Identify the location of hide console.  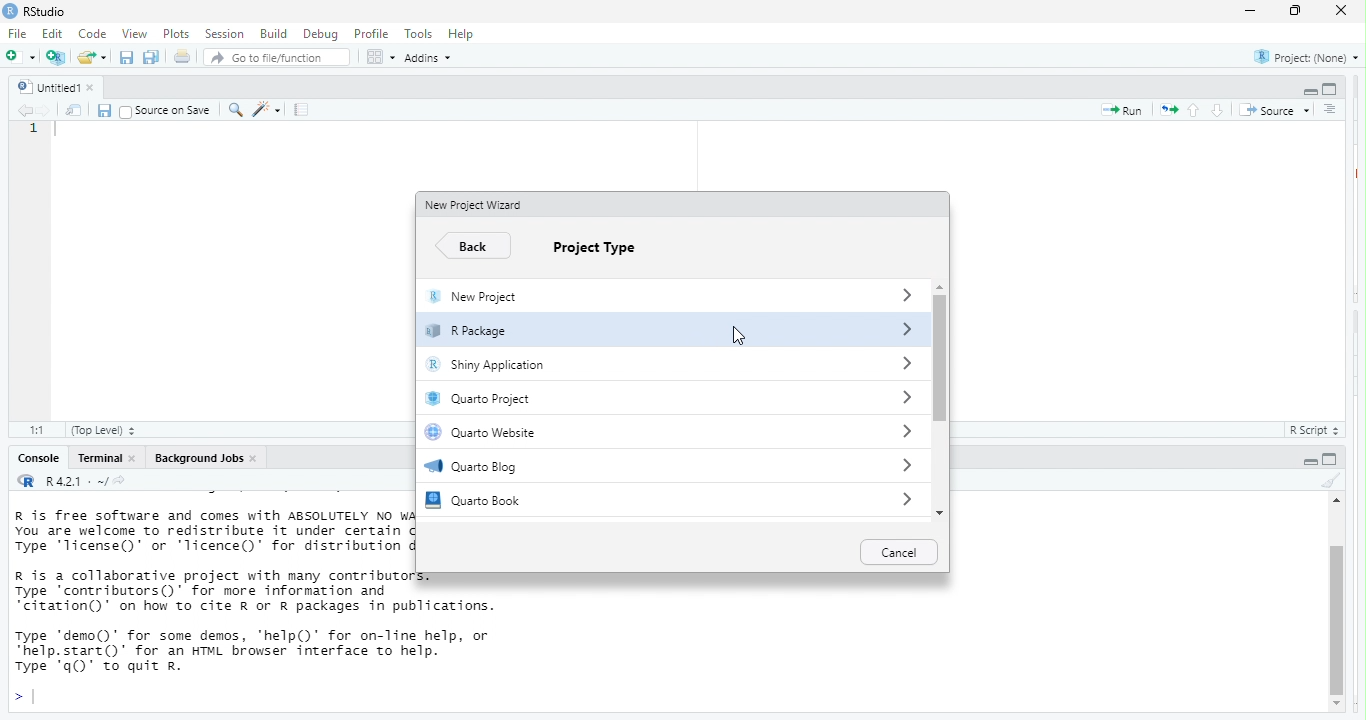
(1332, 459).